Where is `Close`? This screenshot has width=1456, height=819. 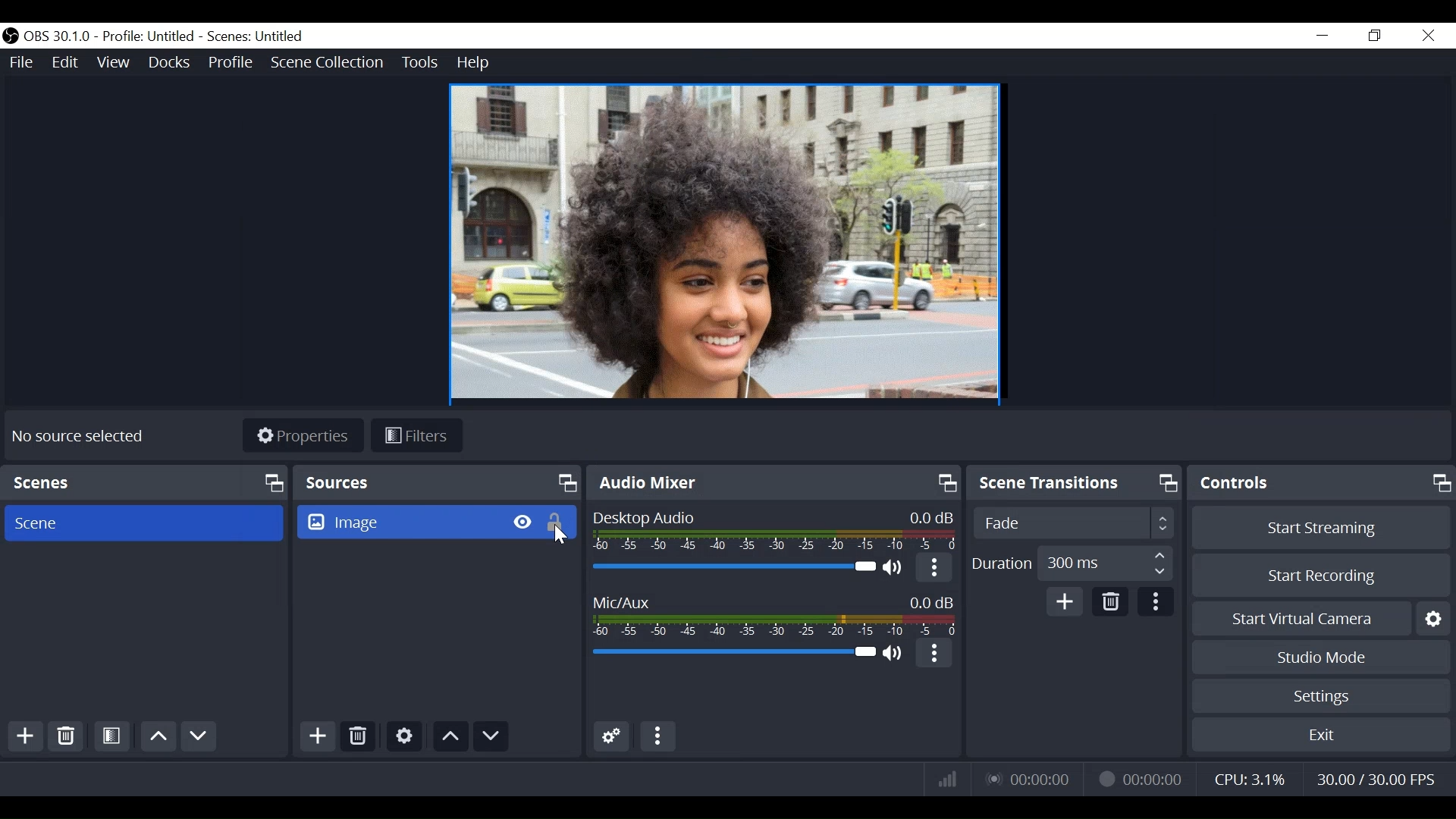
Close is located at coordinates (1432, 34).